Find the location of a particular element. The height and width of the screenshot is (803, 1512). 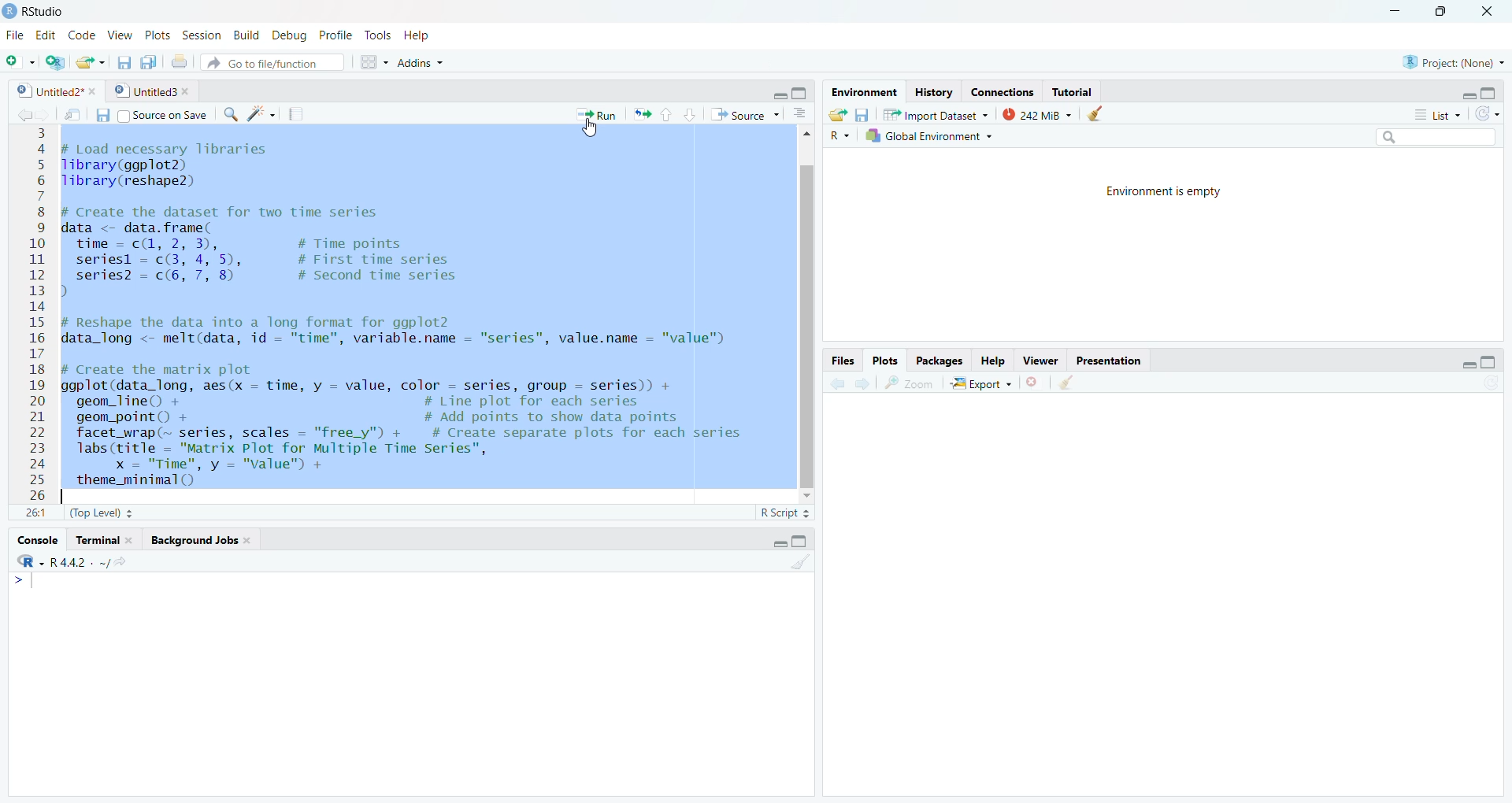

History is located at coordinates (933, 93).